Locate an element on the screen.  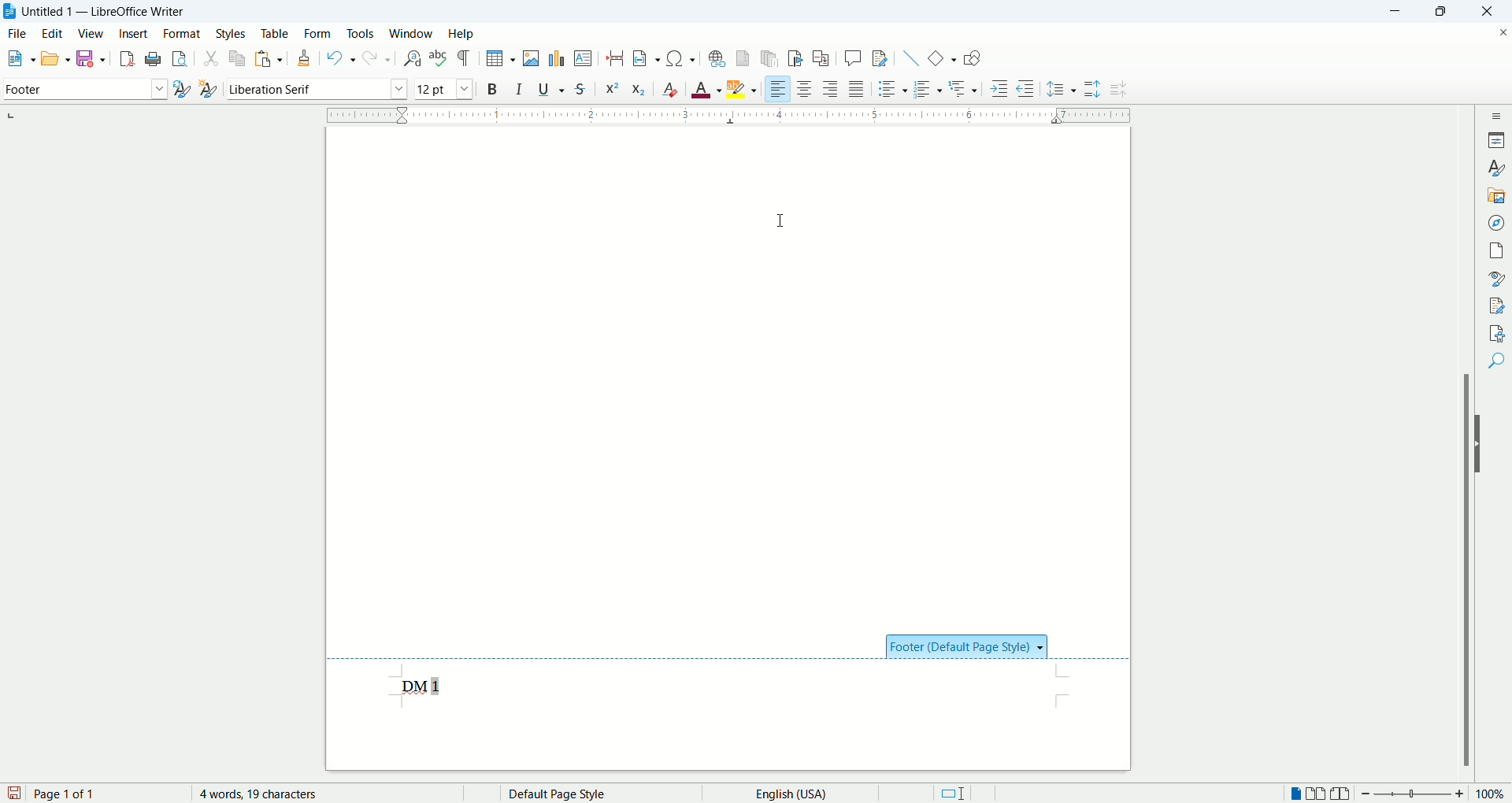
undo is located at coordinates (341, 58).